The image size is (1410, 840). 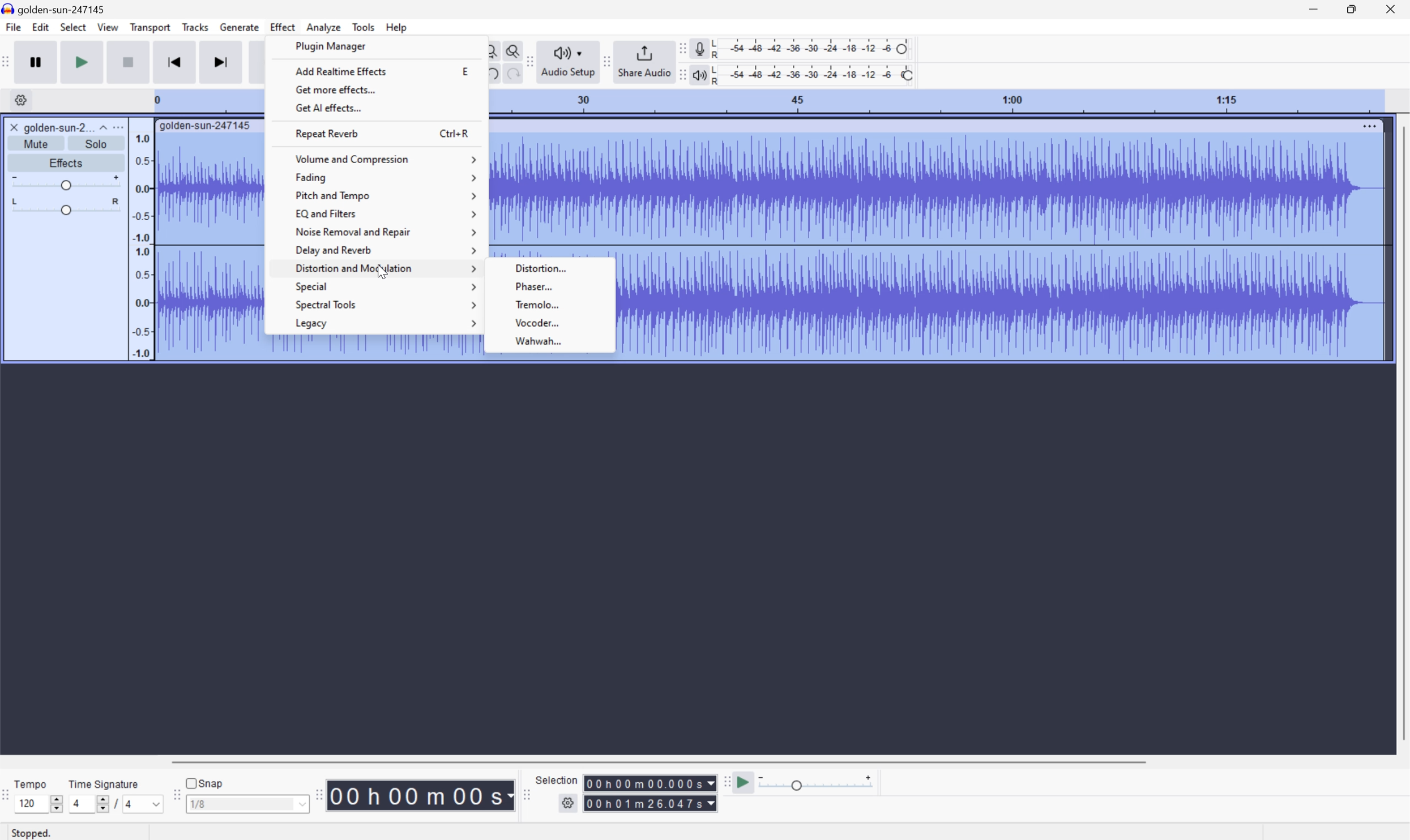 What do you see at coordinates (241, 28) in the screenshot?
I see `Generate` at bounding box center [241, 28].